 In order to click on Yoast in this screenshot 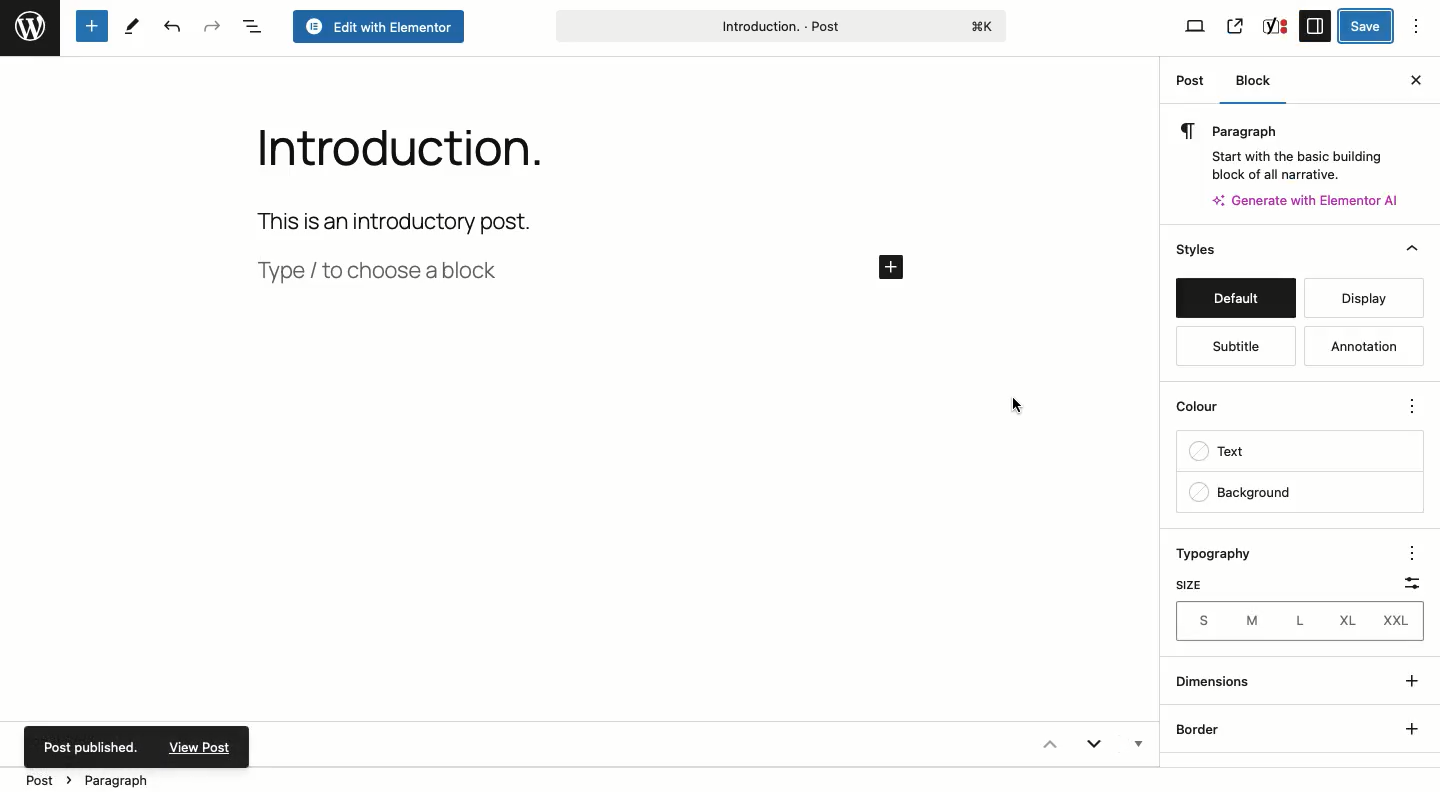, I will do `click(1274, 25)`.